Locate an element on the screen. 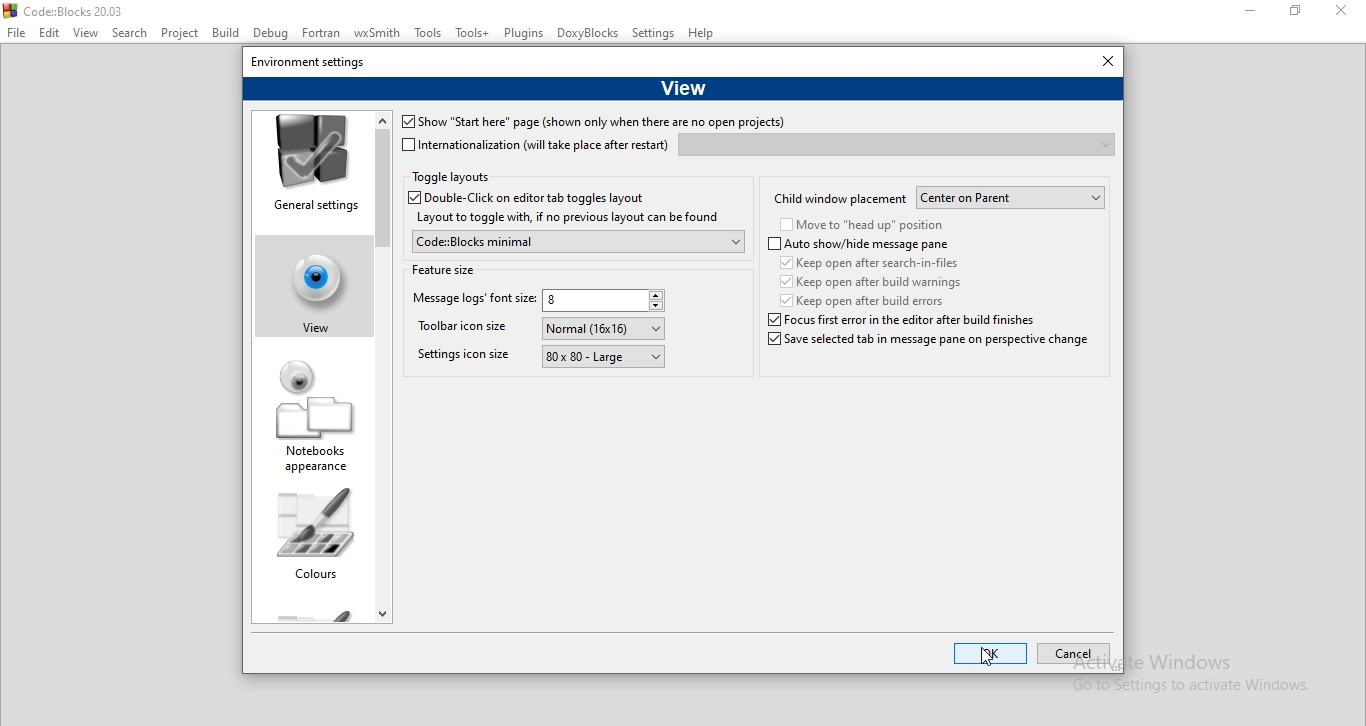 This screenshot has height=726, width=1366. colours is located at coordinates (314, 540).